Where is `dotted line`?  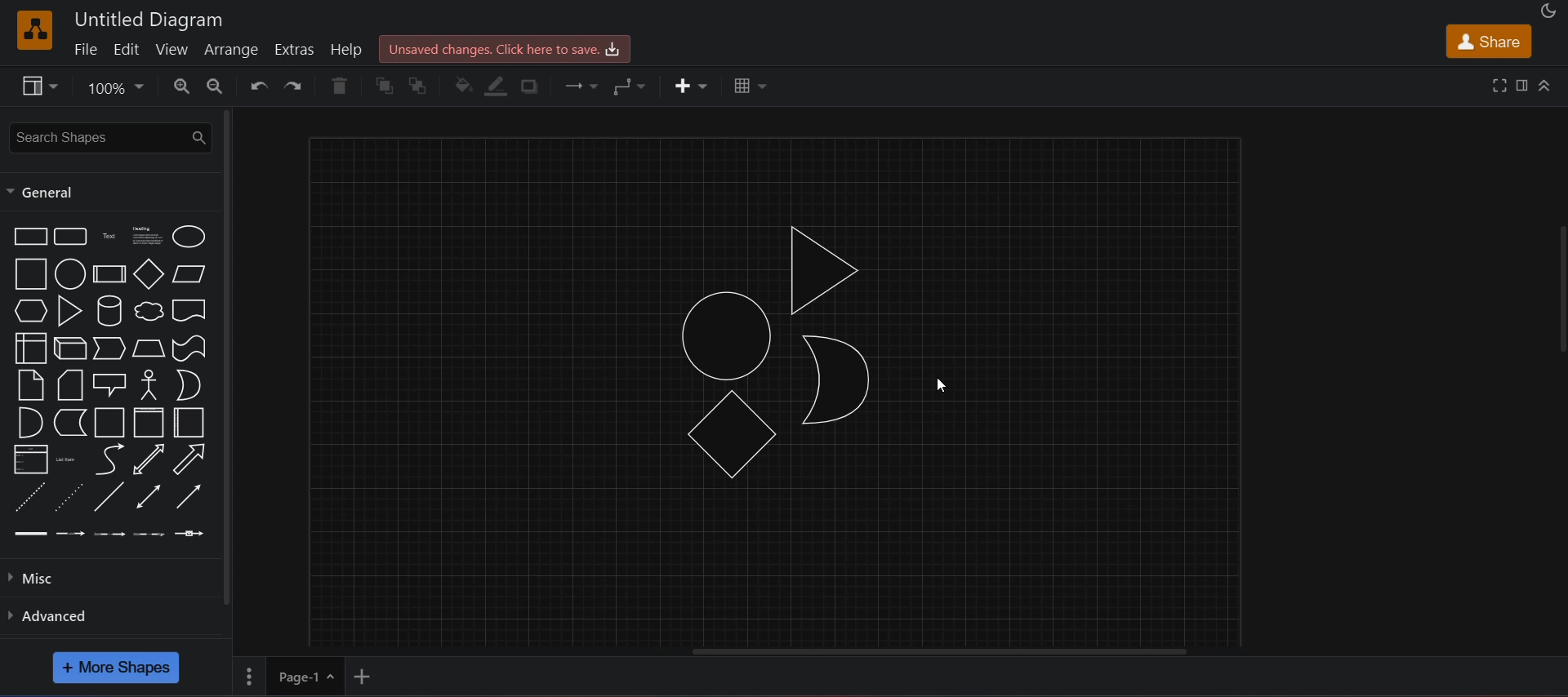 dotted line is located at coordinates (70, 496).